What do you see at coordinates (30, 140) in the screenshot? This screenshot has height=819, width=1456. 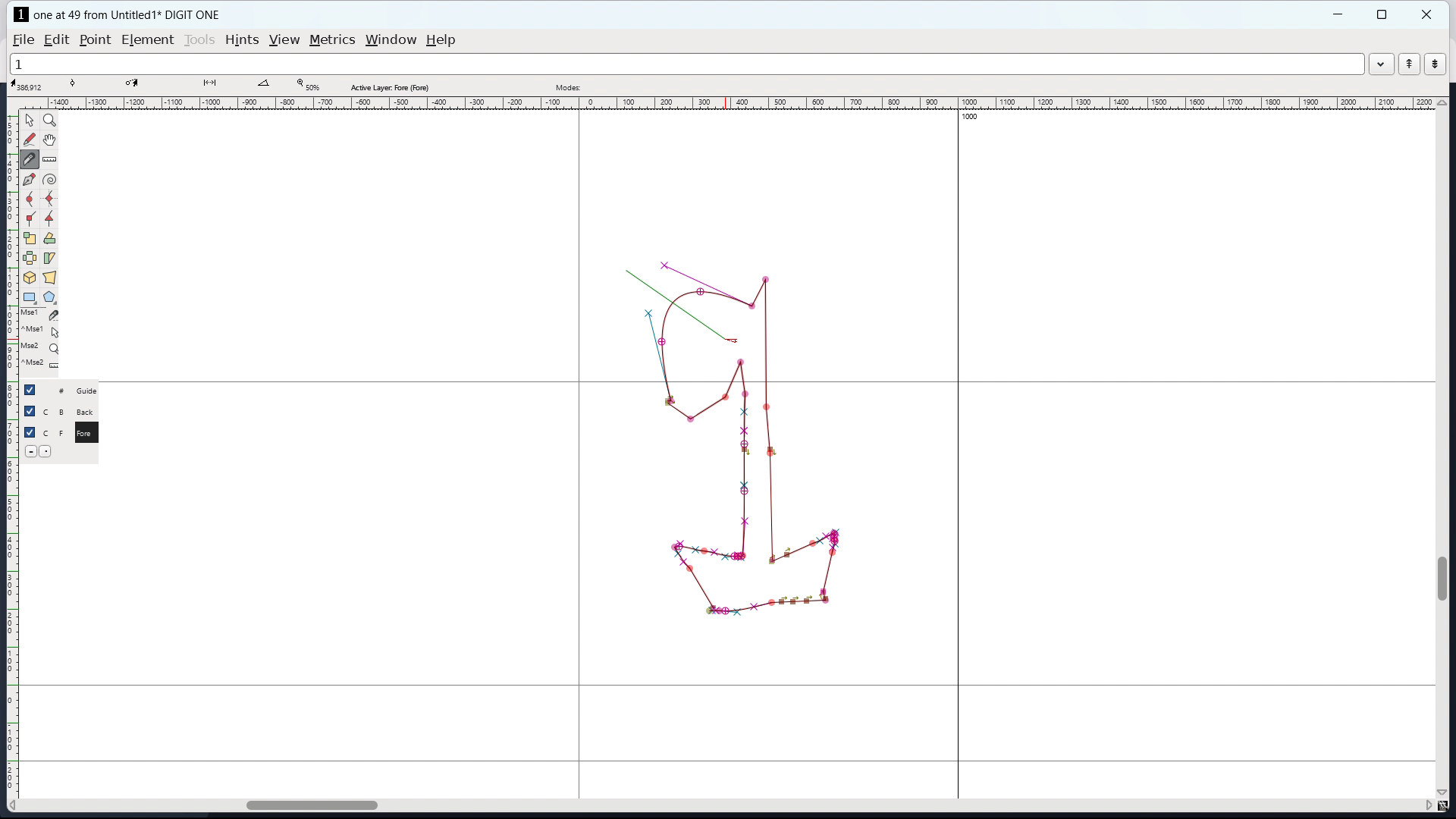 I see `draw a freehand curve` at bounding box center [30, 140].